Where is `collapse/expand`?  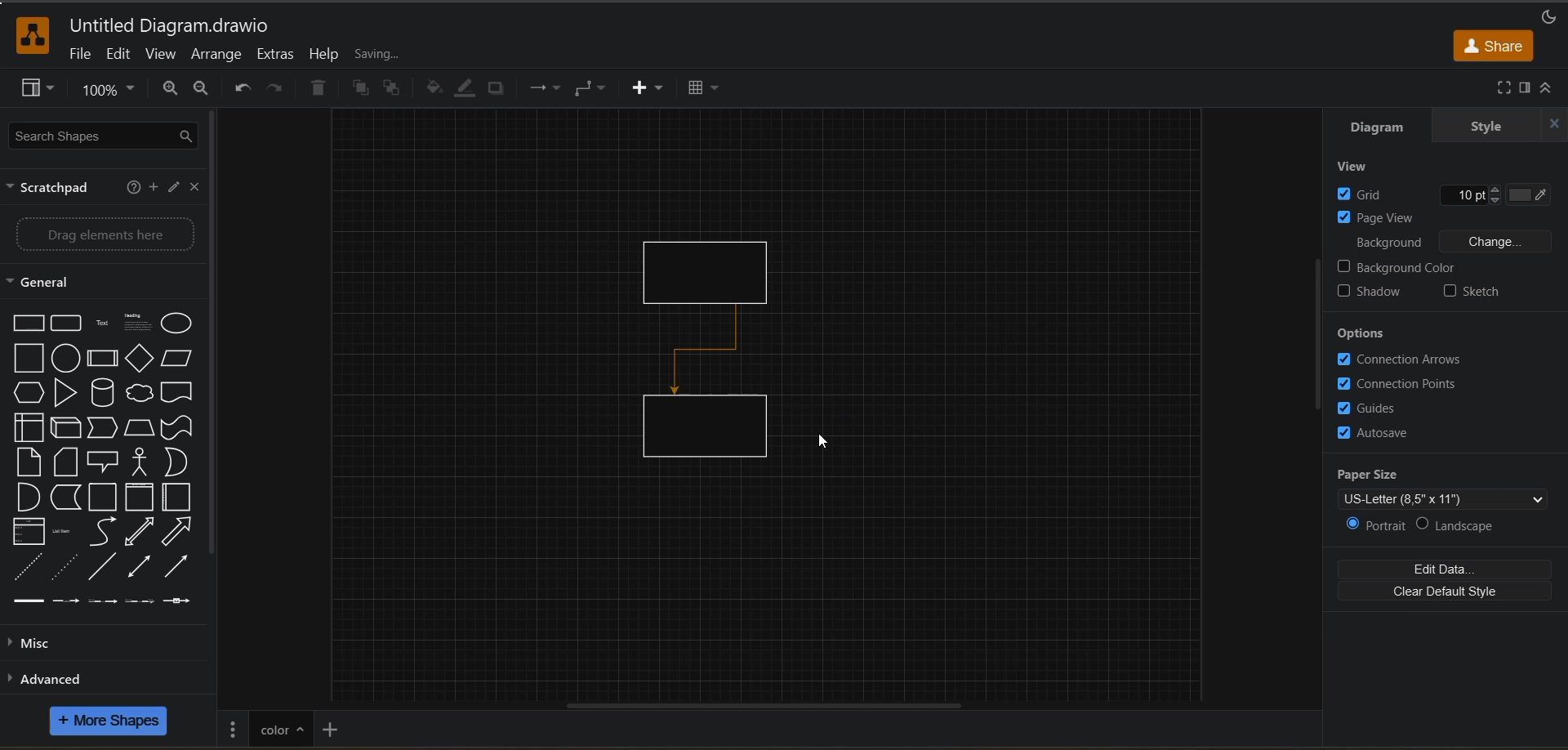 collapse/expand is located at coordinates (1552, 88).